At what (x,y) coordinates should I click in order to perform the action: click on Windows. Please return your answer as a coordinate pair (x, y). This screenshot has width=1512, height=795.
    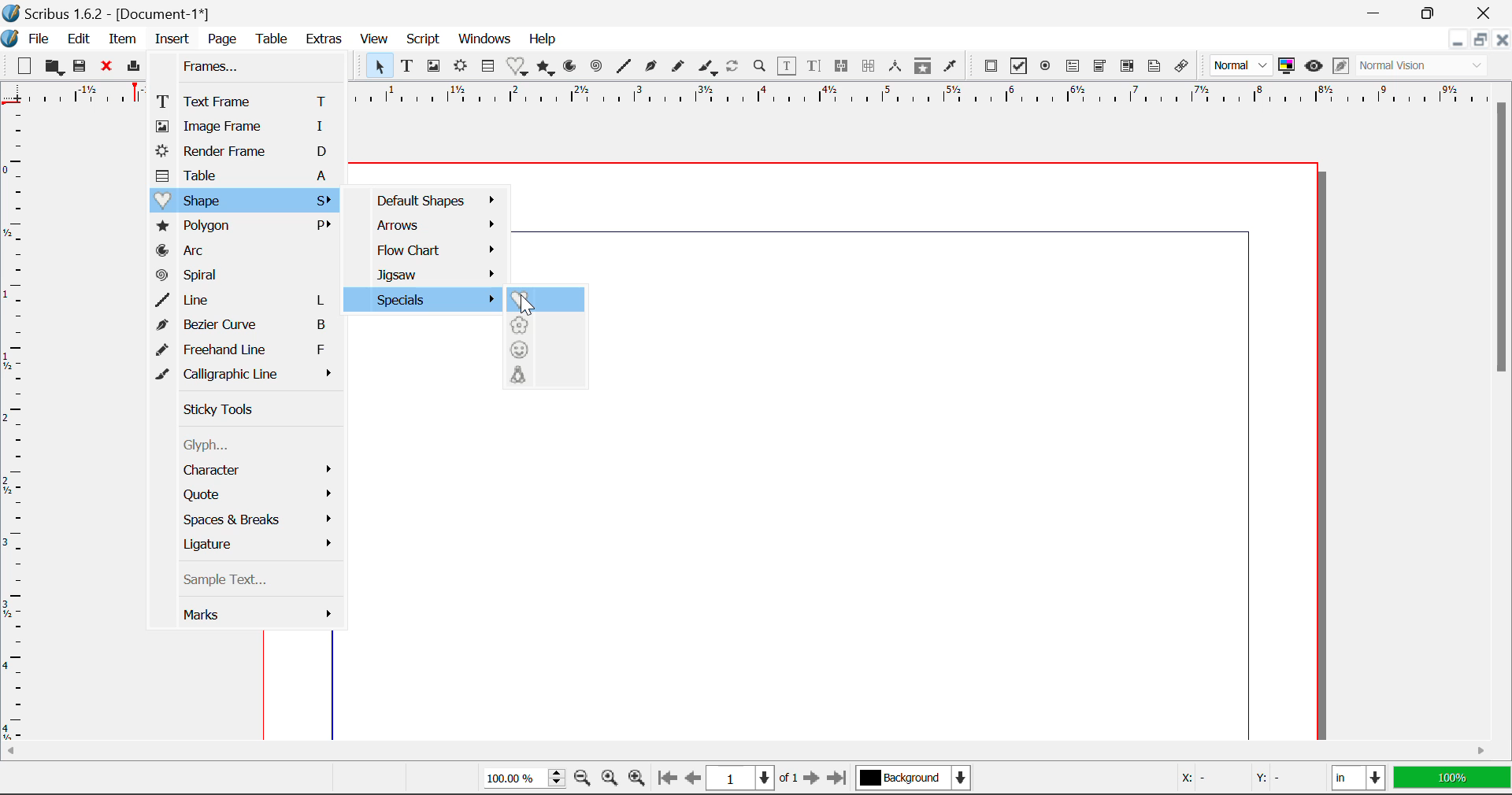
    Looking at the image, I should click on (485, 39).